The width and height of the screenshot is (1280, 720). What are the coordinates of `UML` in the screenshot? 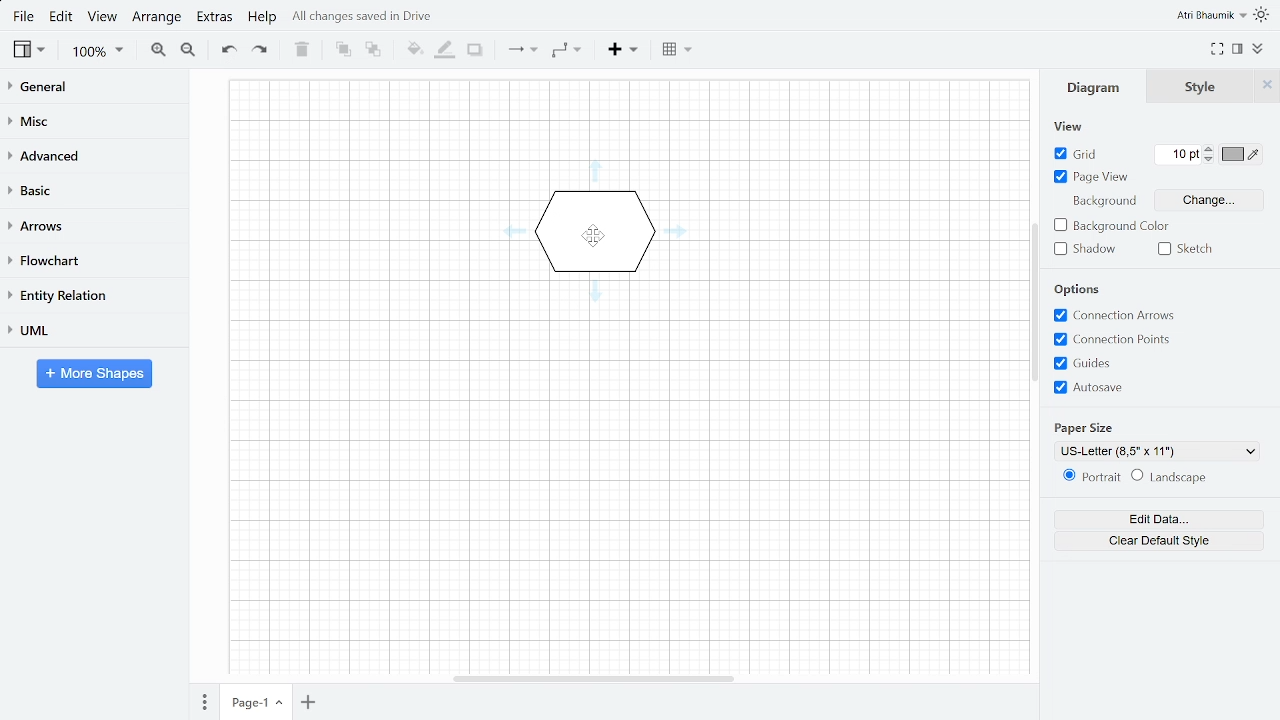 It's located at (90, 331).